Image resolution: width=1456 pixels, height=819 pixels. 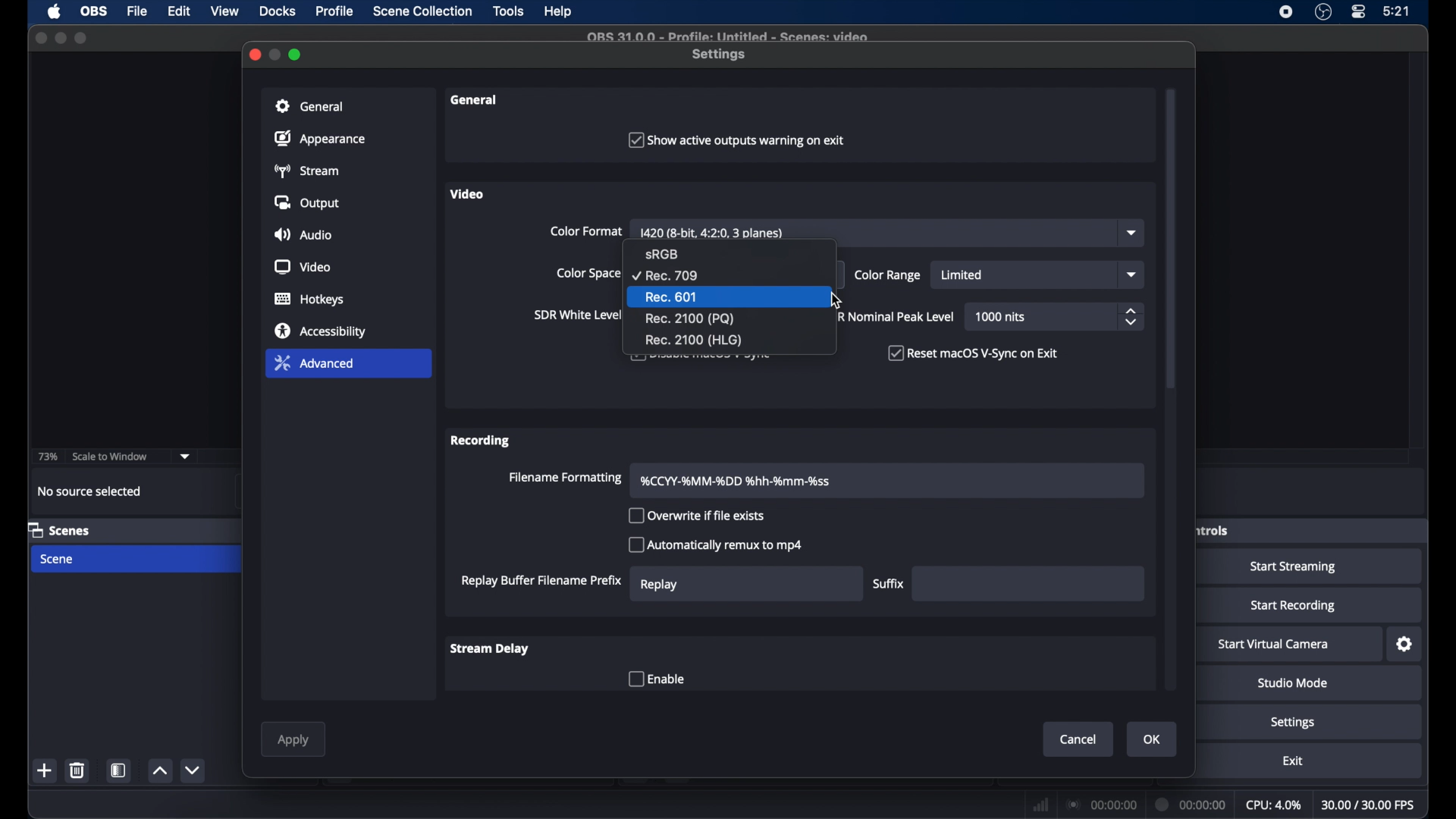 I want to click on maximize, so click(x=297, y=55).